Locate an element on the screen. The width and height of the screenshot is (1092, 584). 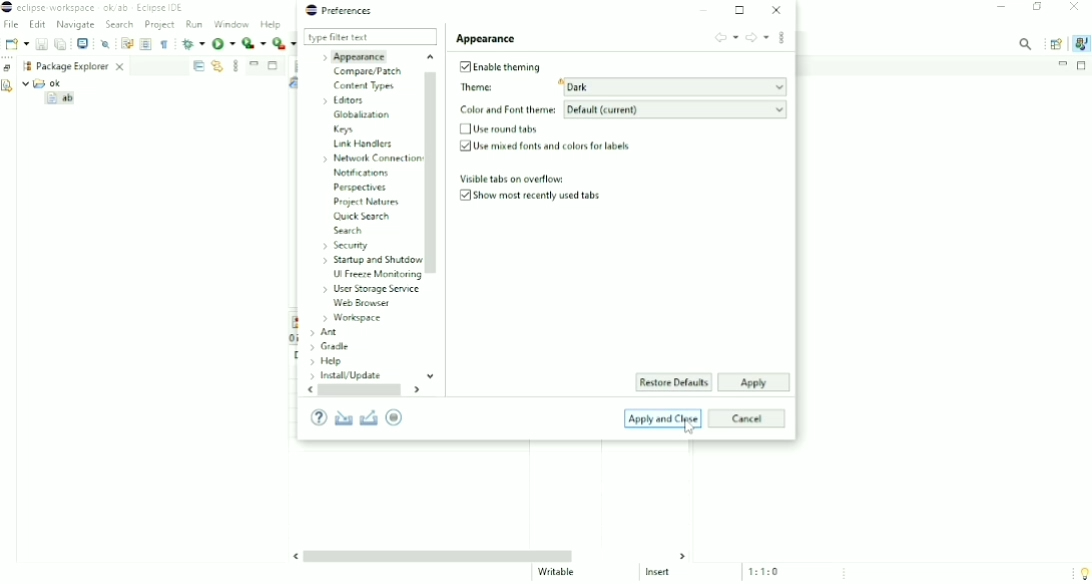
Package Explorer is located at coordinates (82, 65).